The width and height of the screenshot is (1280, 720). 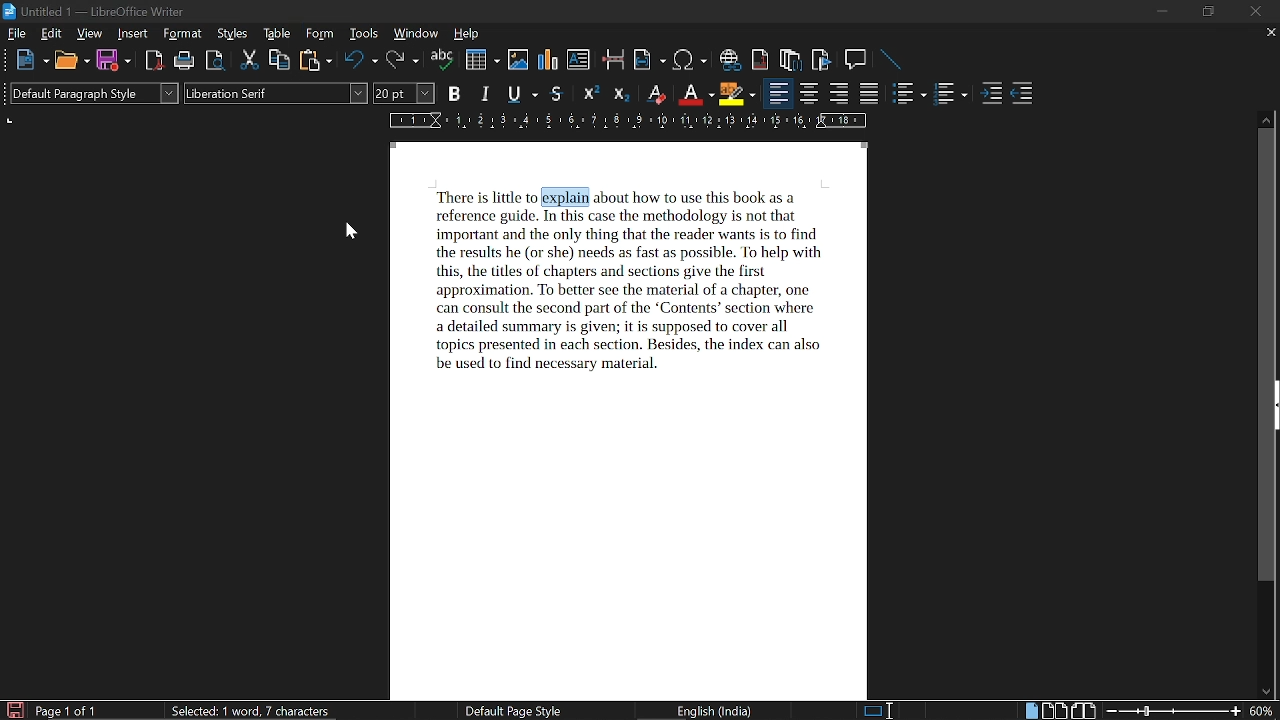 I want to click on highlight, so click(x=736, y=94).